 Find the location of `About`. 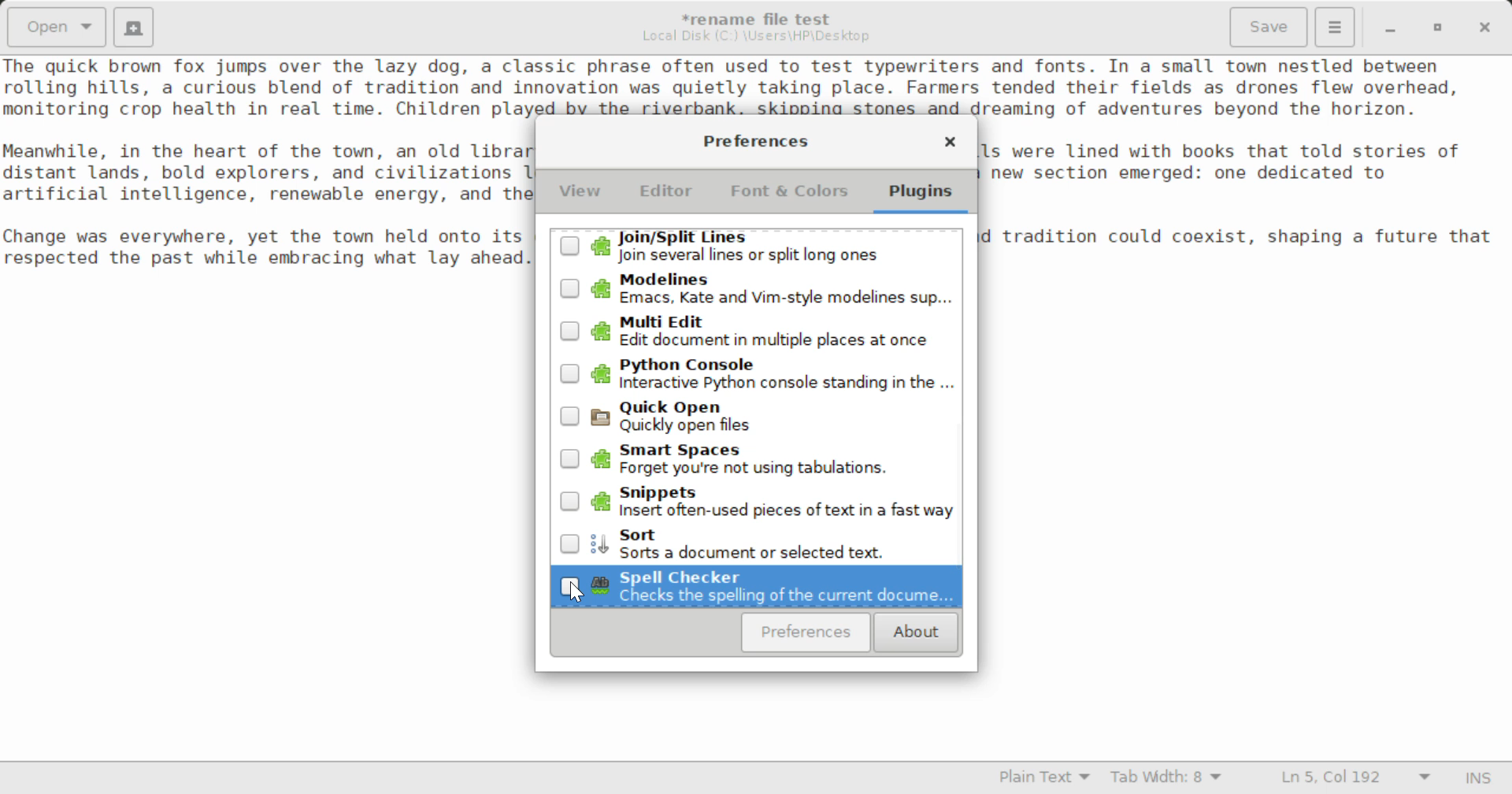

About is located at coordinates (913, 633).